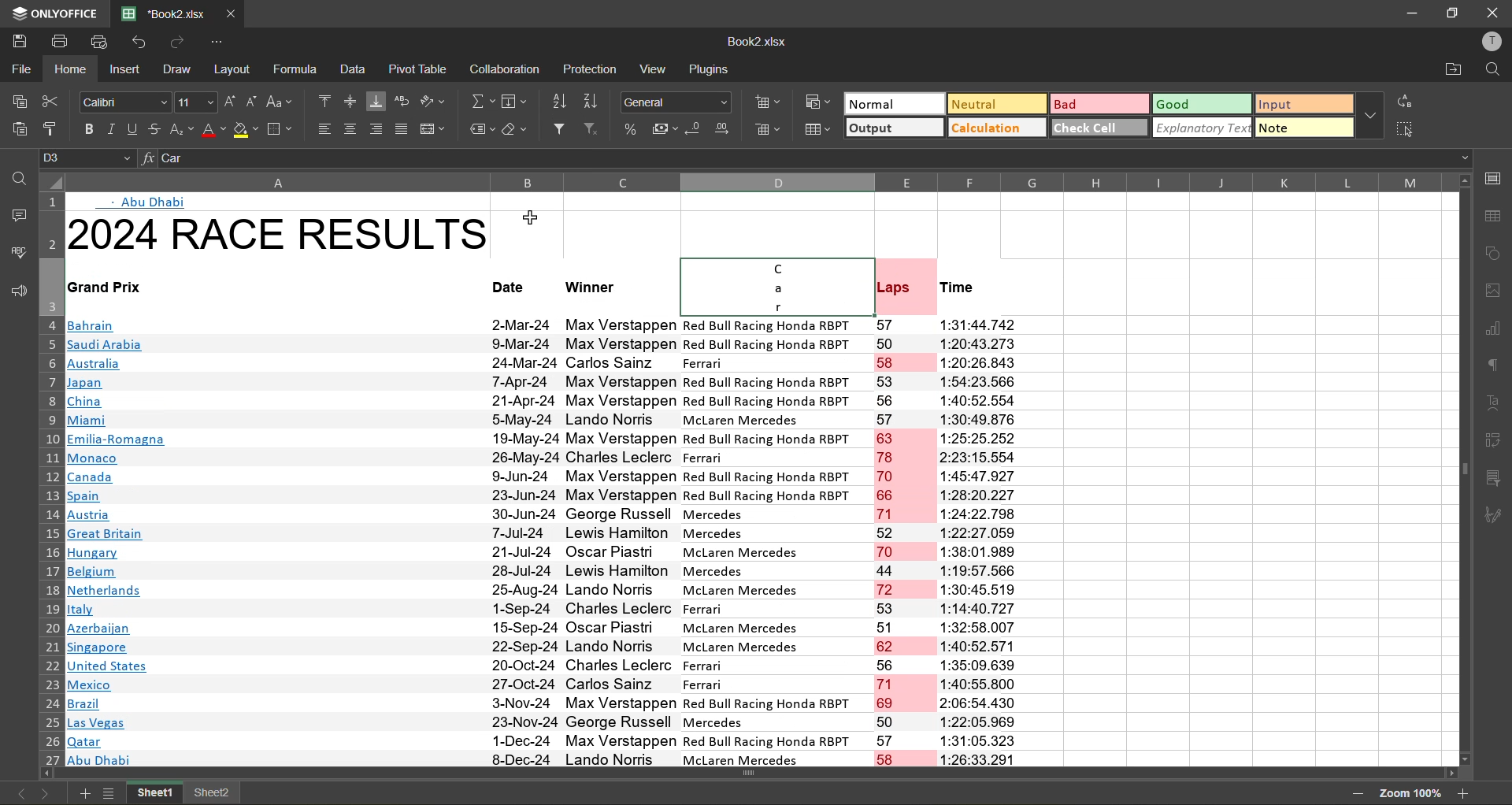  Describe the element at coordinates (1400, 127) in the screenshot. I see `select all` at that location.